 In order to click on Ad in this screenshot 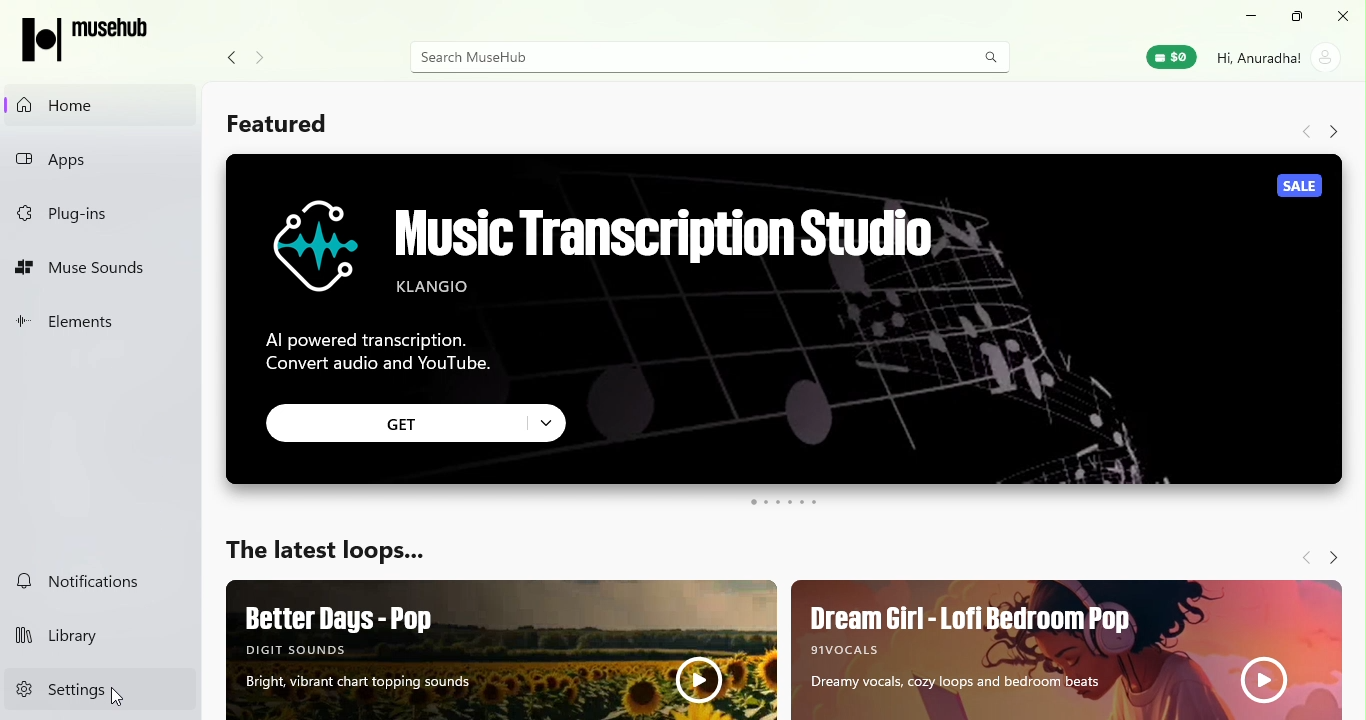, I will do `click(501, 650)`.